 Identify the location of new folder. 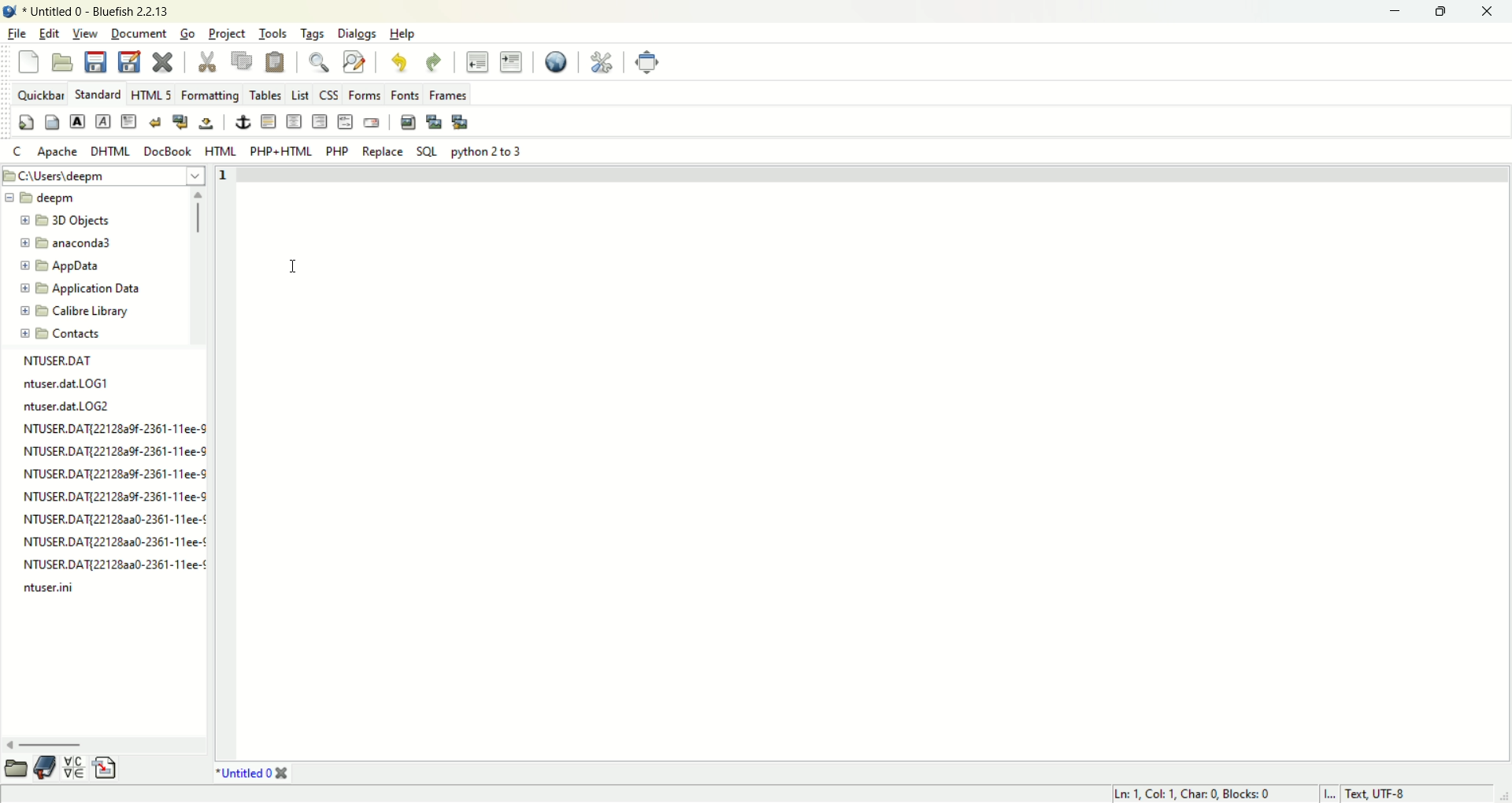
(69, 242).